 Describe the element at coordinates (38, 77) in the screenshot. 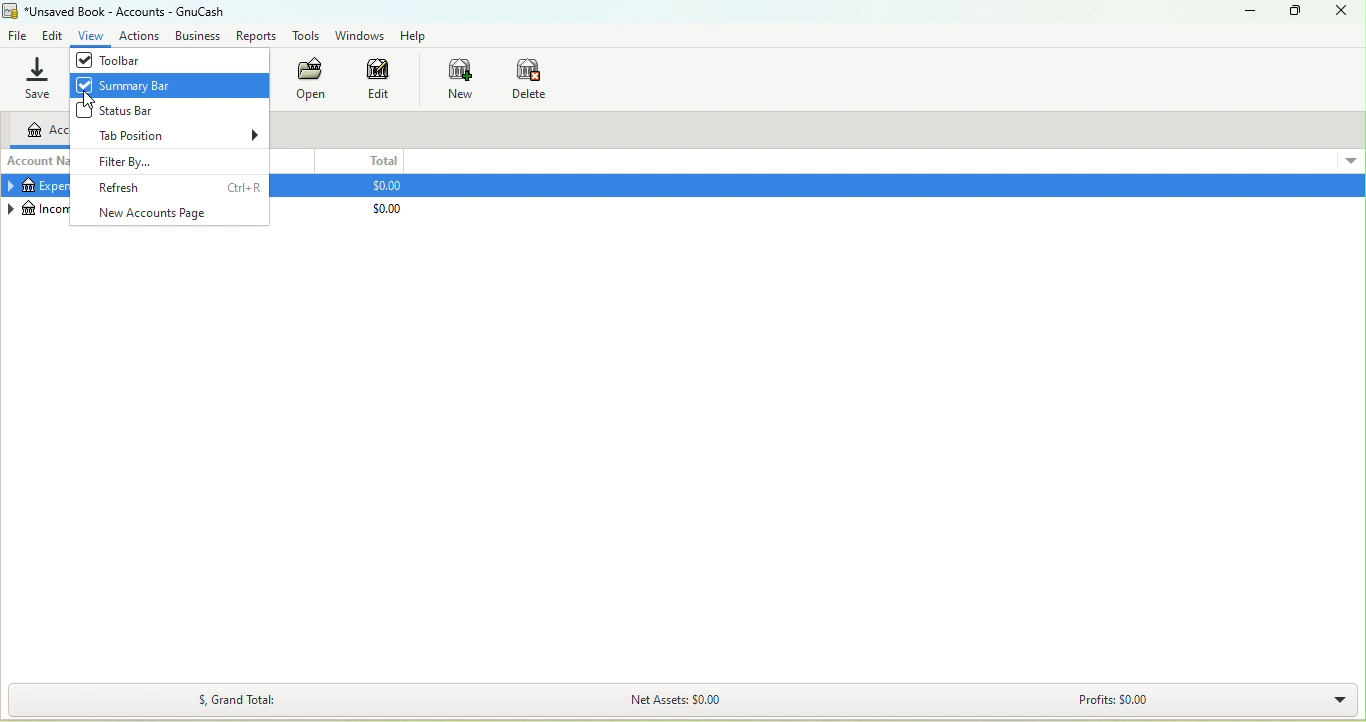

I see `Save` at that location.